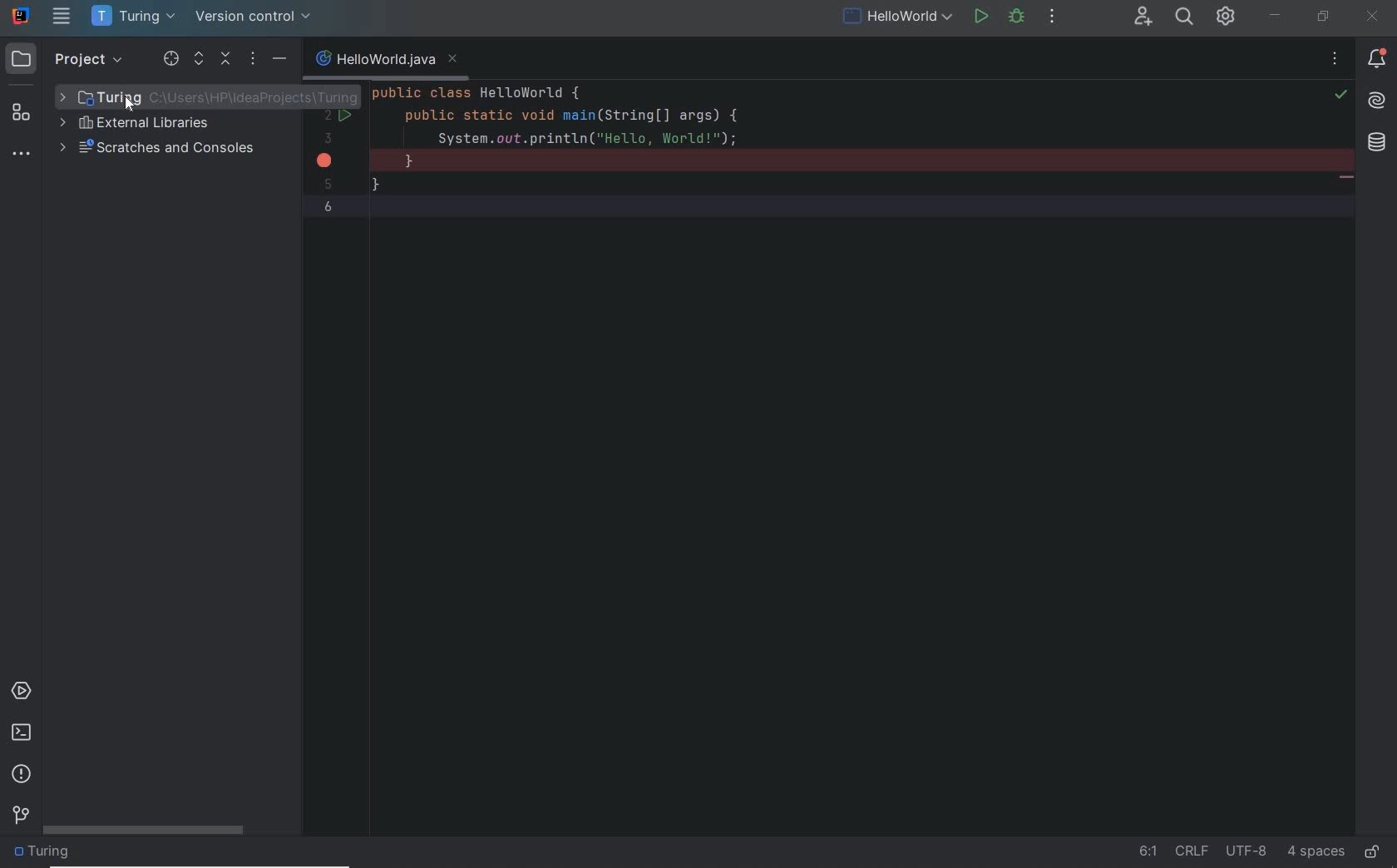 The width and height of the screenshot is (1397, 868). Describe the element at coordinates (1227, 18) in the screenshot. I see `IDE and Project settings` at that location.